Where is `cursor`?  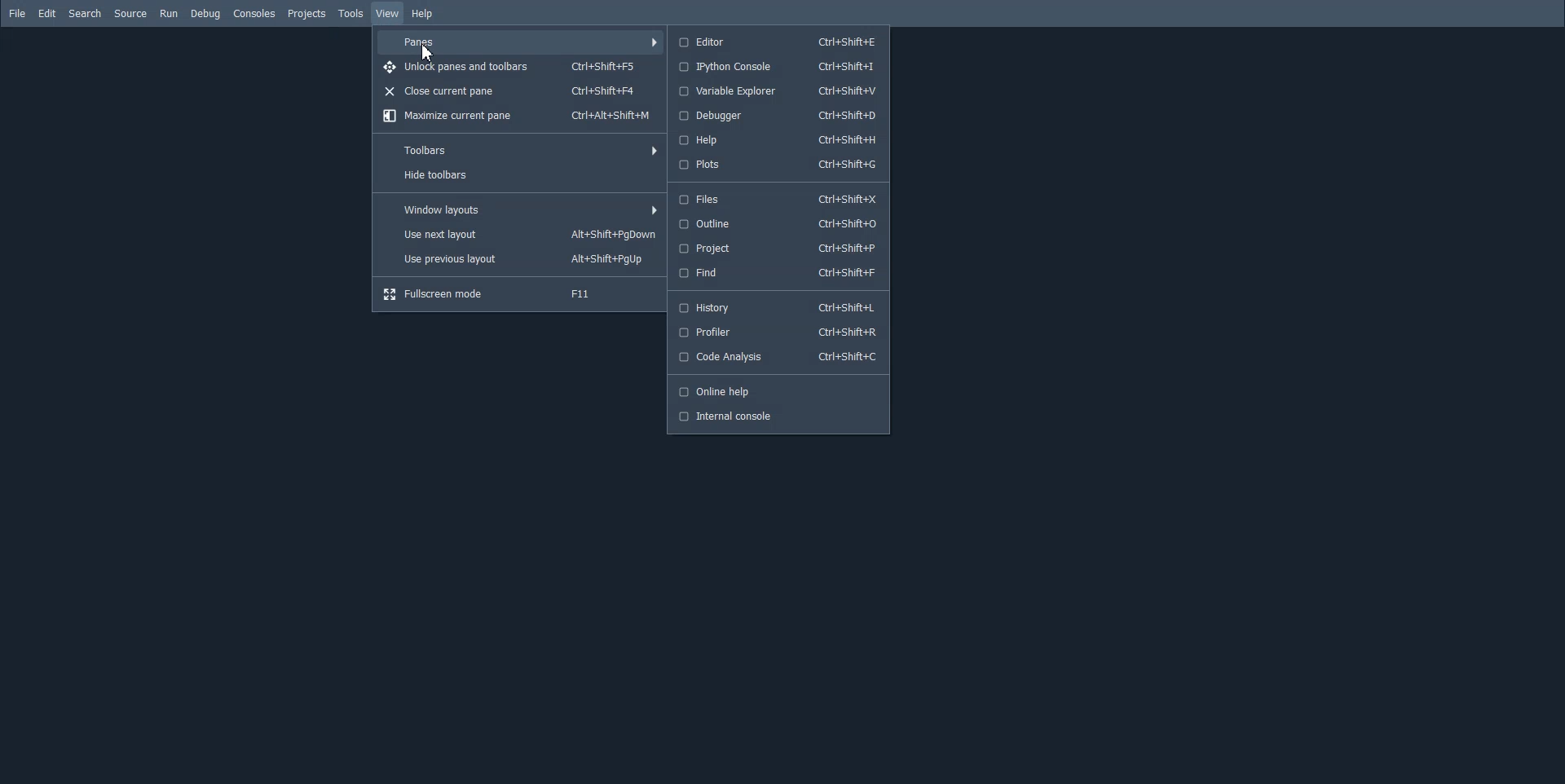
cursor is located at coordinates (430, 51).